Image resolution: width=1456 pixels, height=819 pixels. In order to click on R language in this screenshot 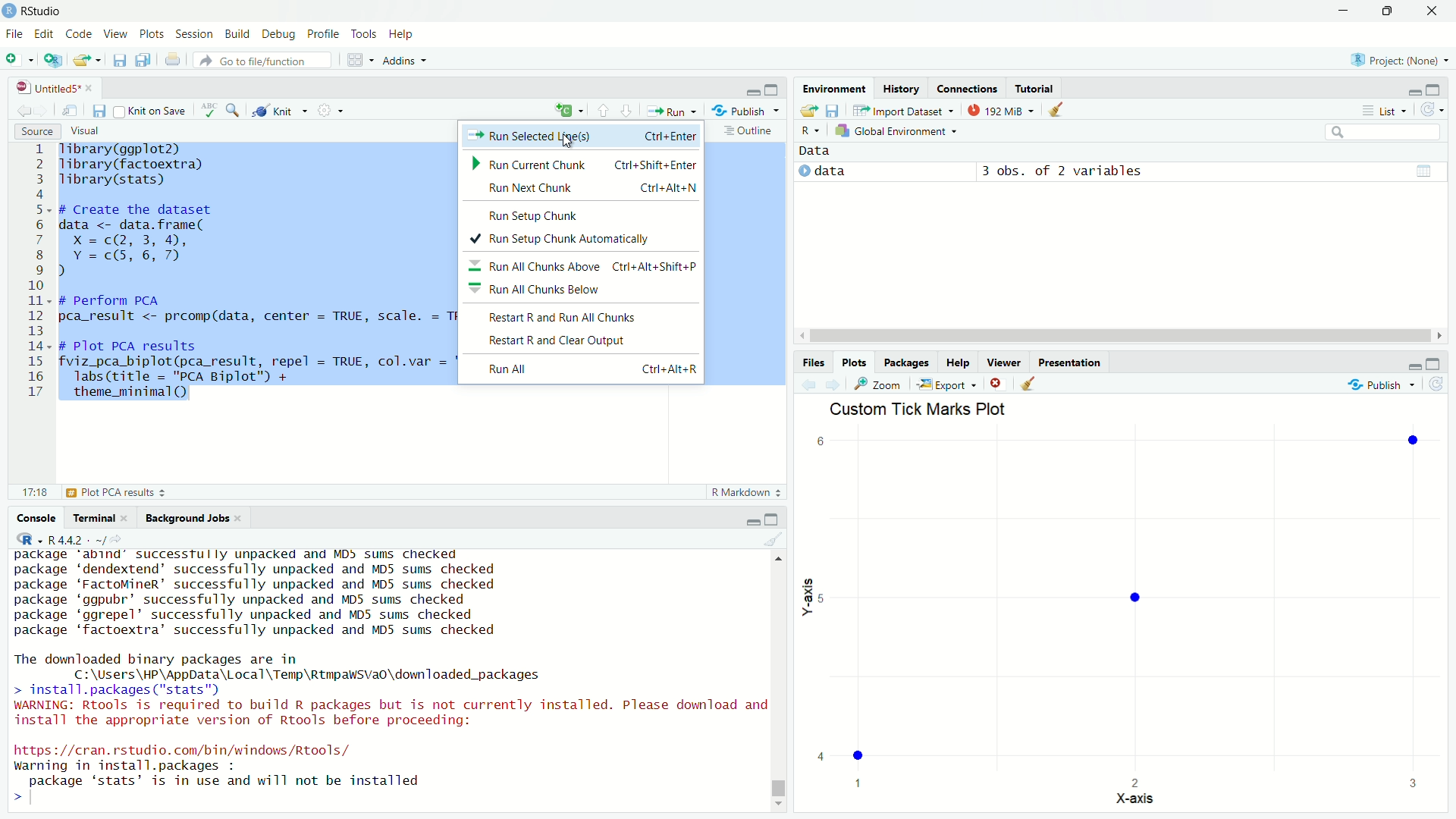, I will do `click(27, 539)`.